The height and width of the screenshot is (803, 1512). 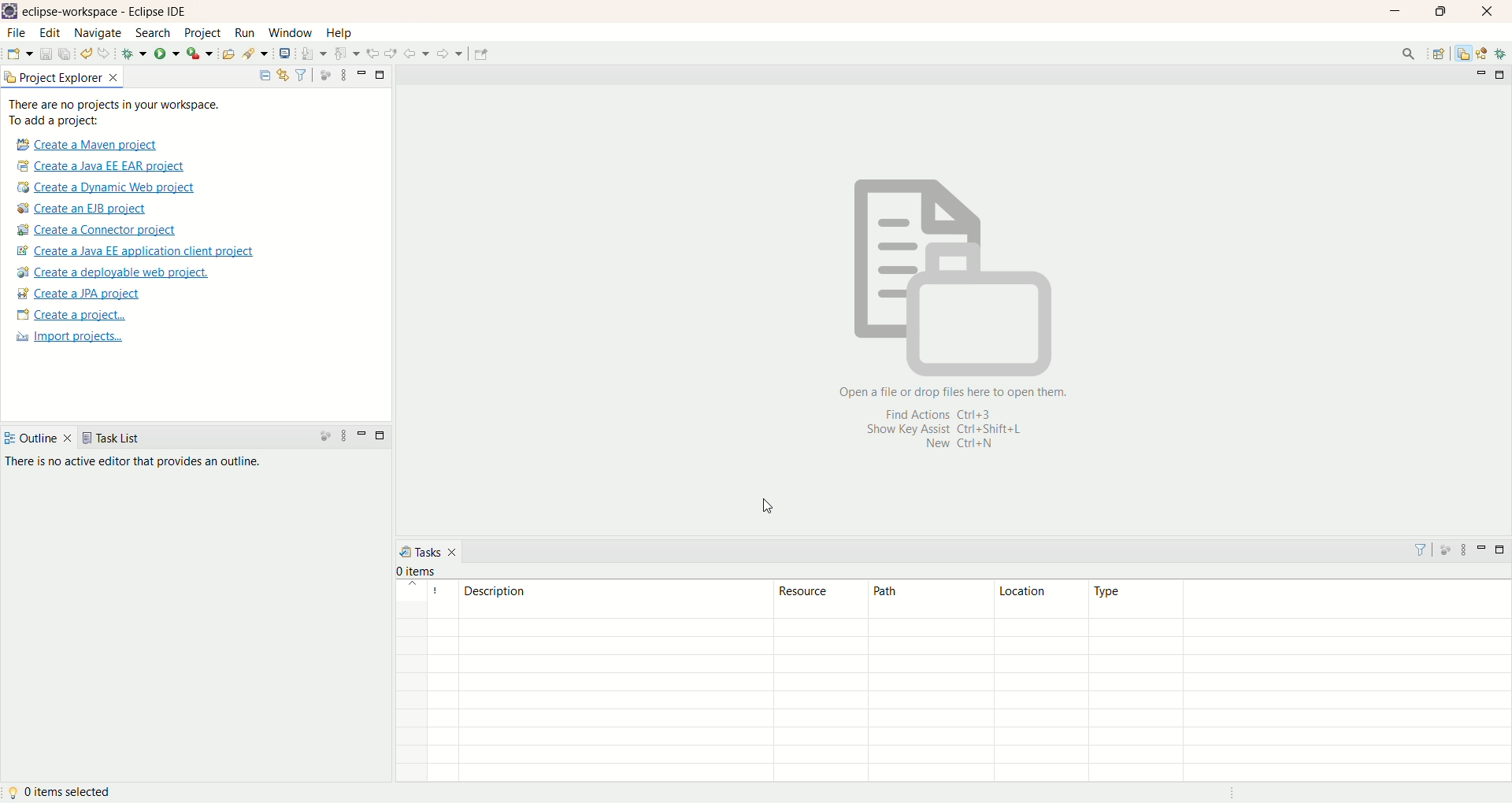 What do you see at coordinates (107, 13) in the screenshot?
I see `eclipse-workspace-Eclipse IDE` at bounding box center [107, 13].